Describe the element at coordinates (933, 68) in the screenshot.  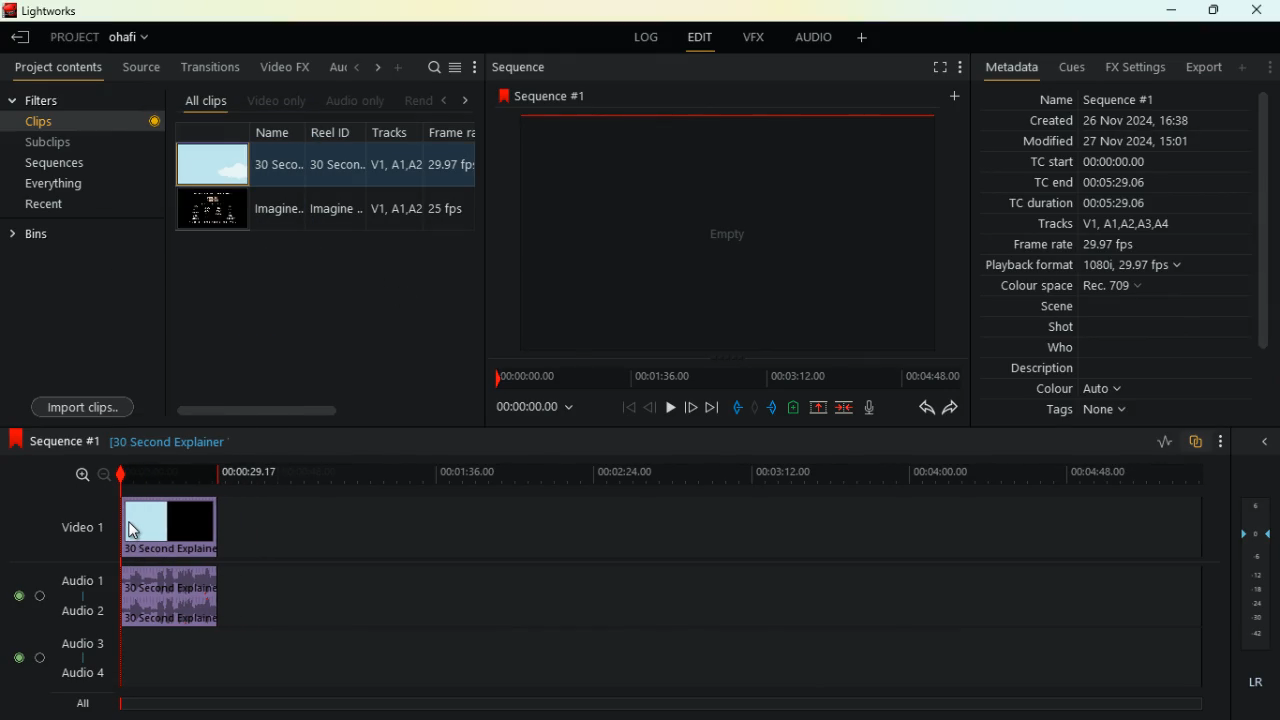
I see `fullscreen` at that location.